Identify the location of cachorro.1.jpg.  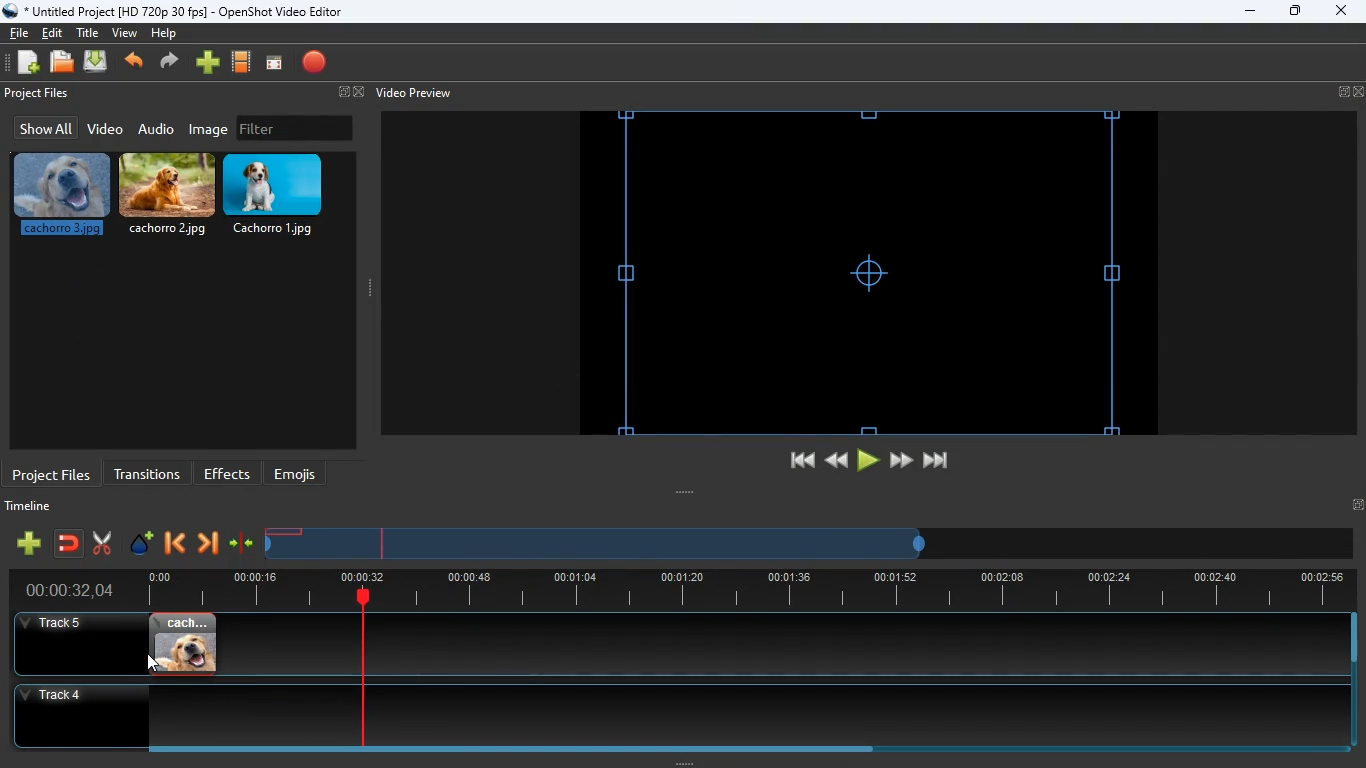
(281, 195).